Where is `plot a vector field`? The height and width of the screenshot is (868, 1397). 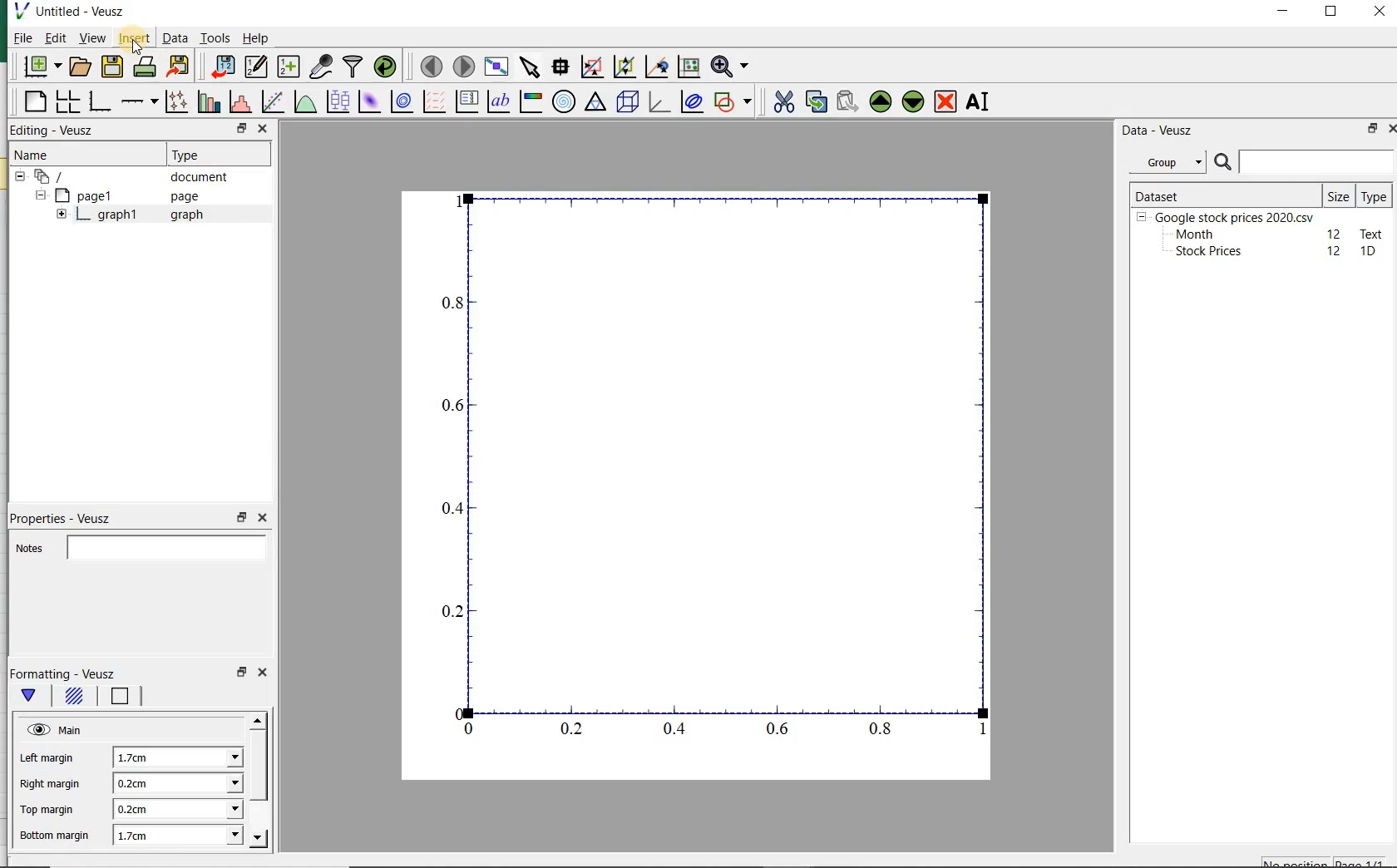 plot a vector field is located at coordinates (432, 103).